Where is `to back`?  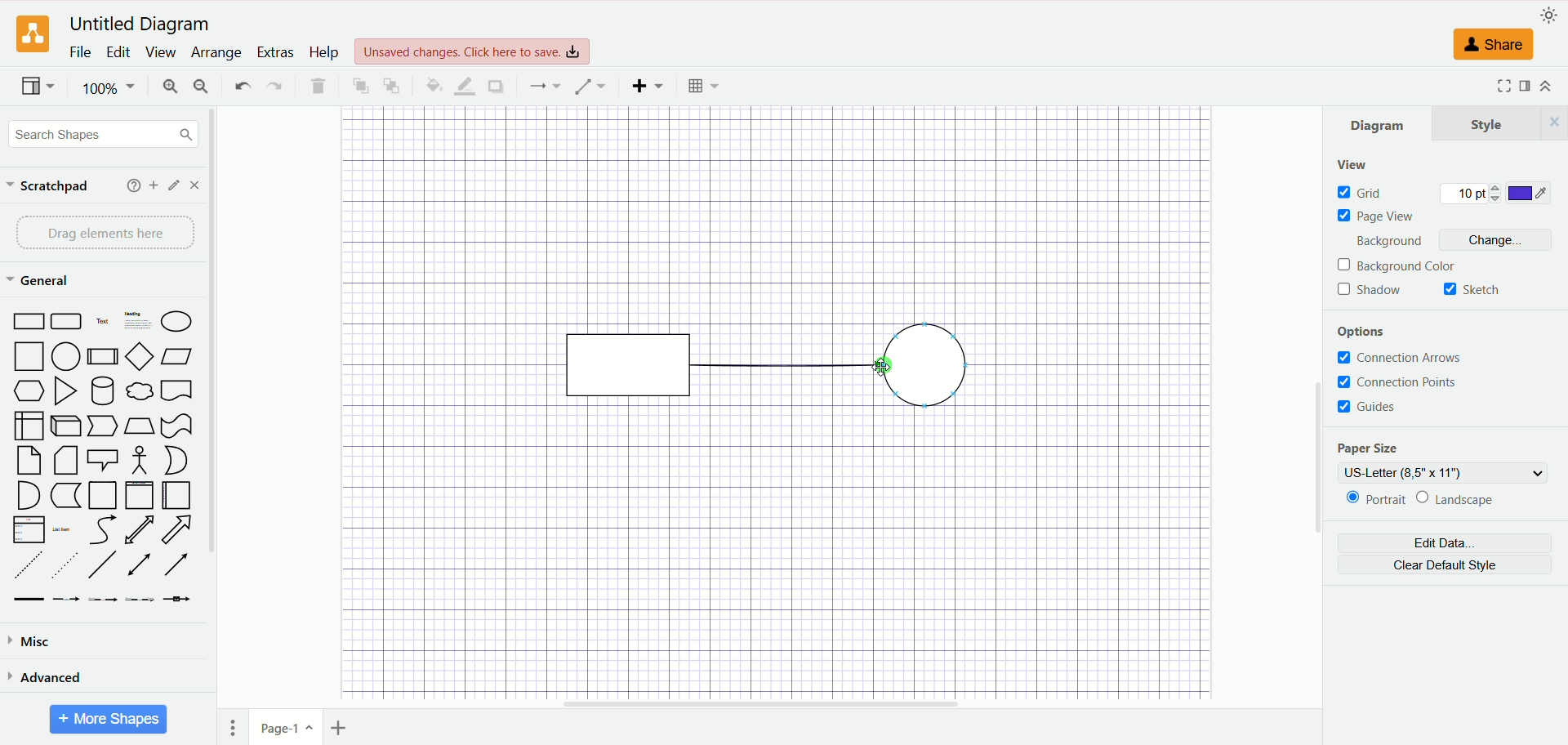 to back is located at coordinates (390, 85).